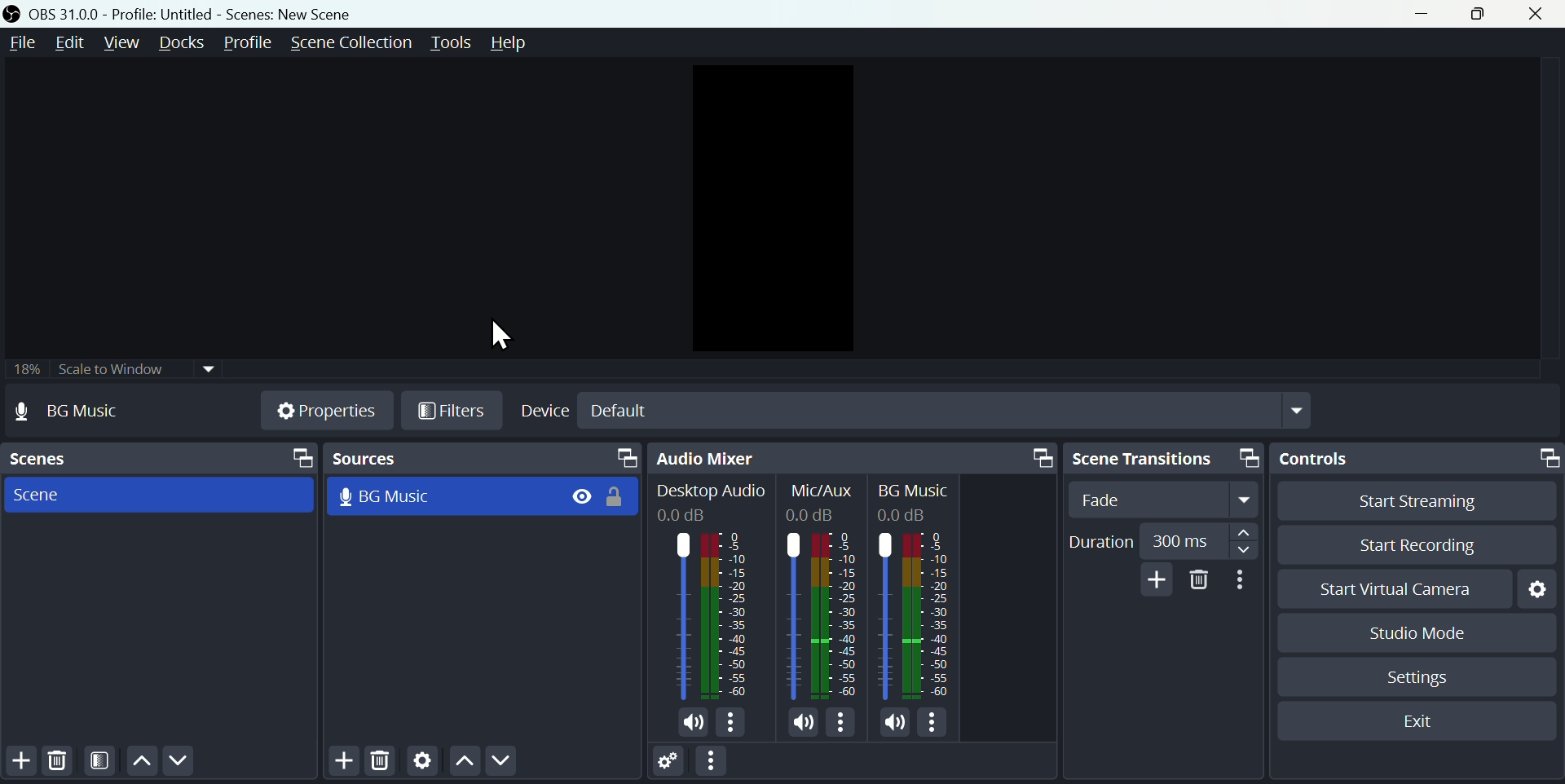 The width and height of the screenshot is (1565, 784). What do you see at coordinates (157, 456) in the screenshot?
I see `Scenes` at bounding box center [157, 456].